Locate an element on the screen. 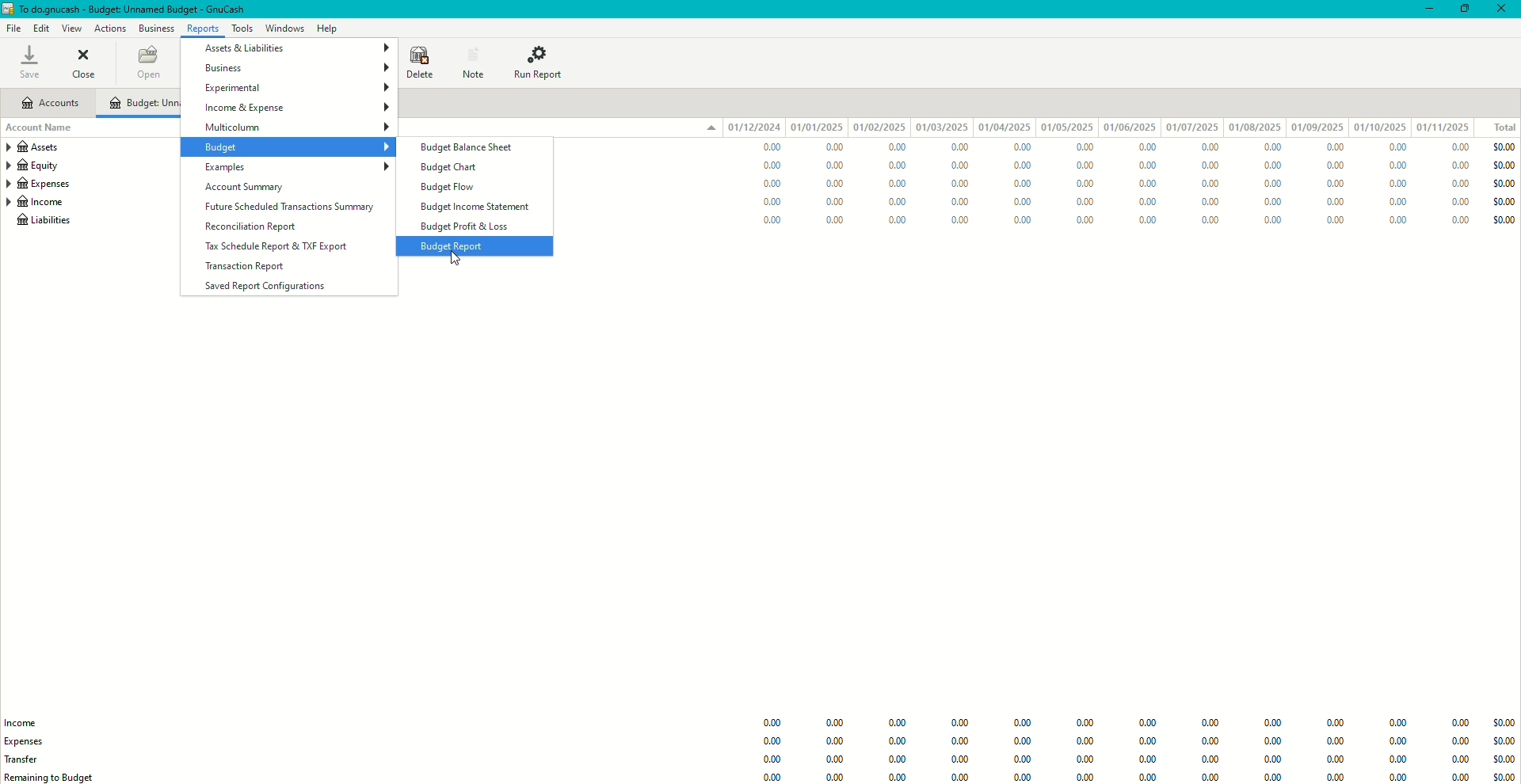 The height and width of the screenshot is (784, 1521). Assets is located at coordinates (37, 149).